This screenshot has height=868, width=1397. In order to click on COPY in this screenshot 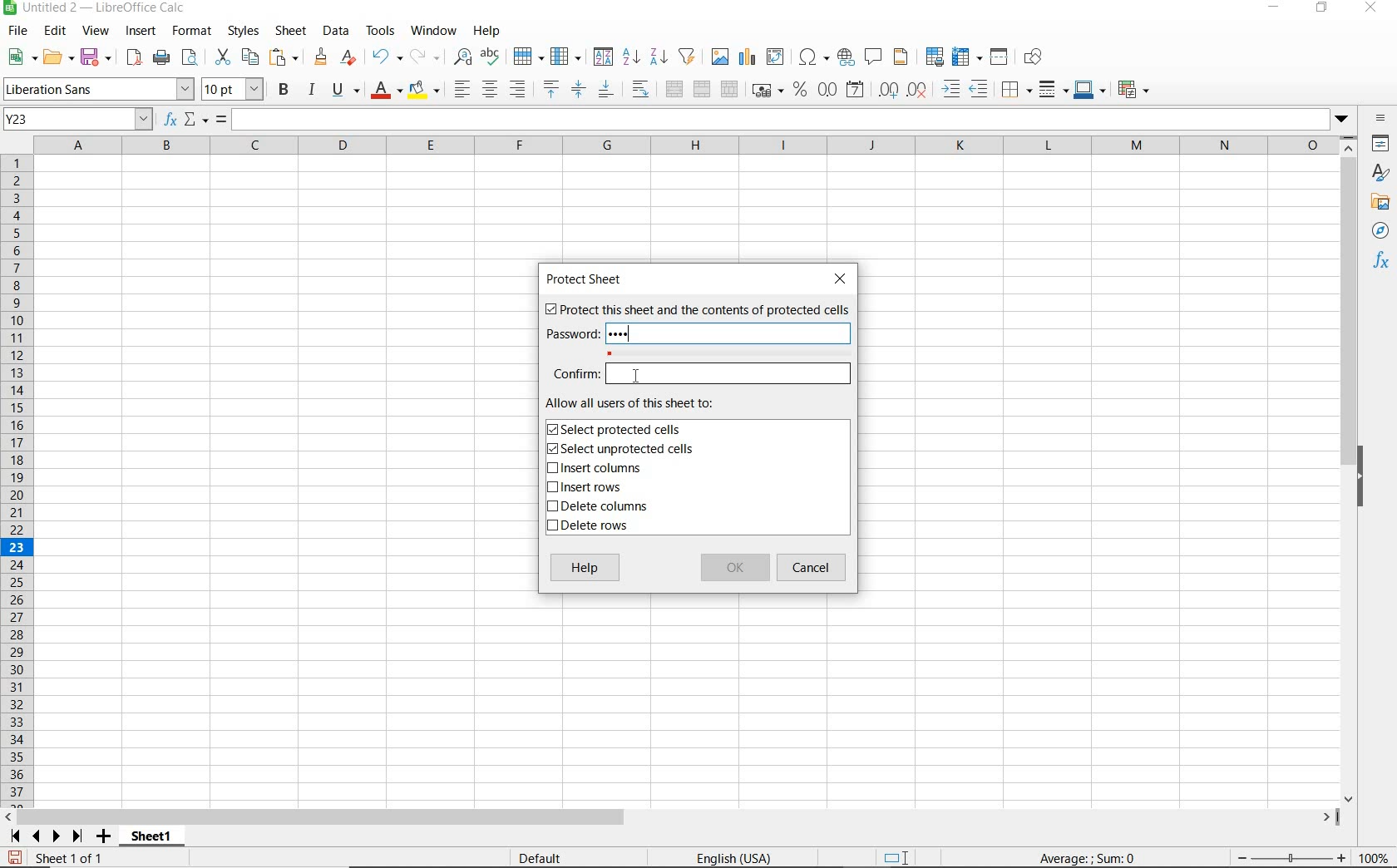, I will do `click(250, 57)`.